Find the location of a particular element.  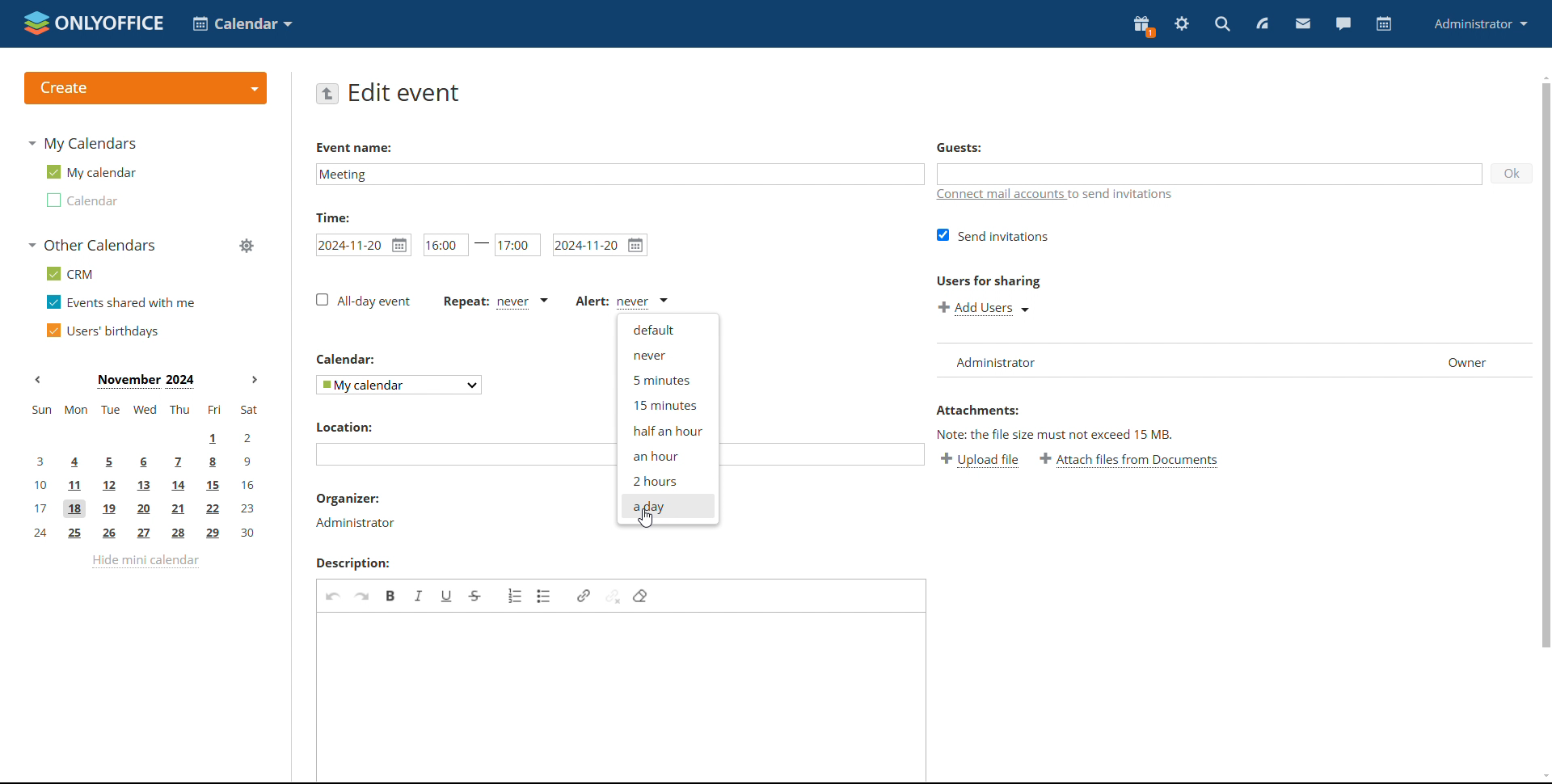

Month on display is located at coordinates (146, 381).